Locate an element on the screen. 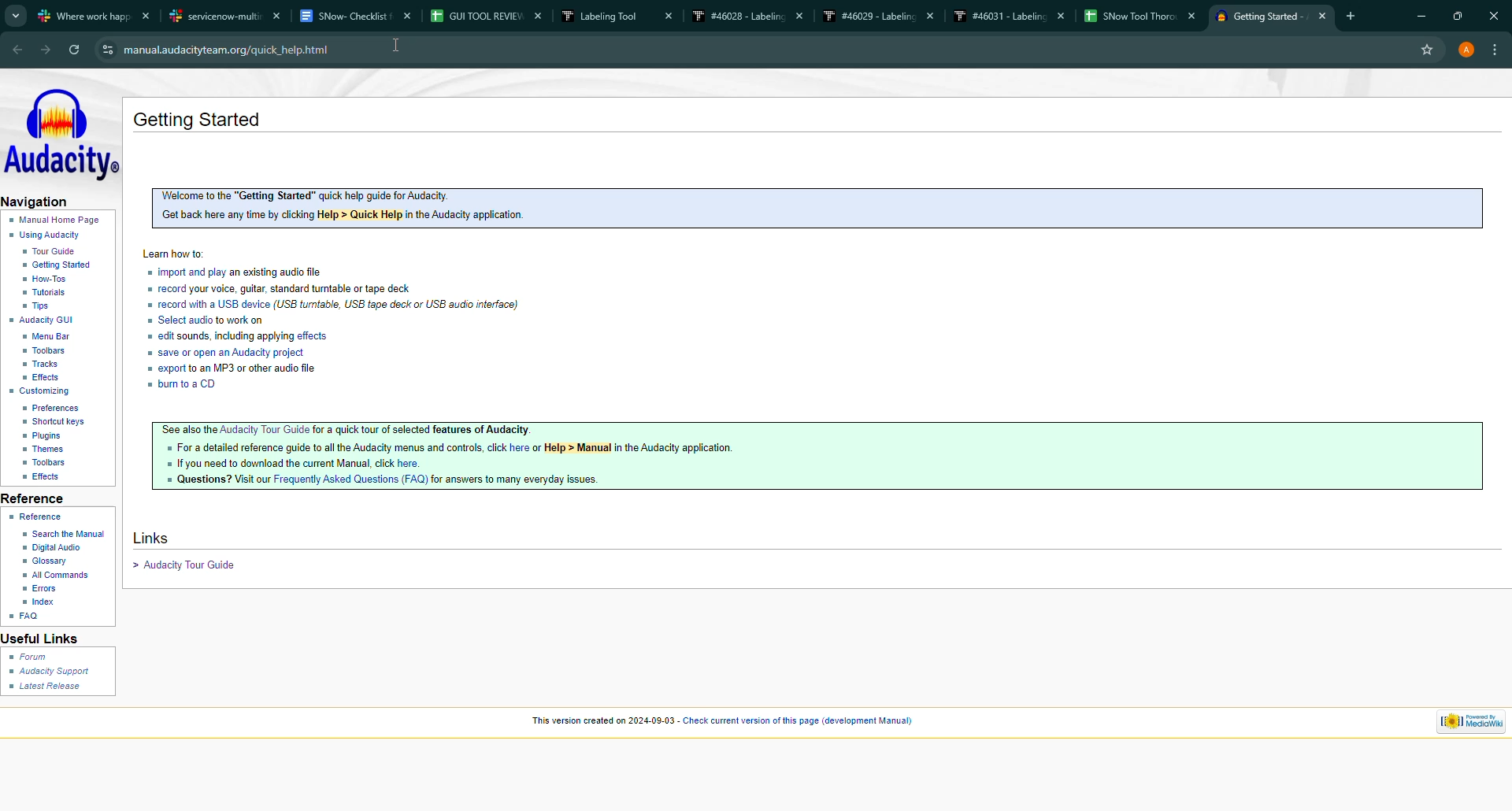 The width and height of the screenshot is (1512, 811). start is located at coordinates (59, 266).